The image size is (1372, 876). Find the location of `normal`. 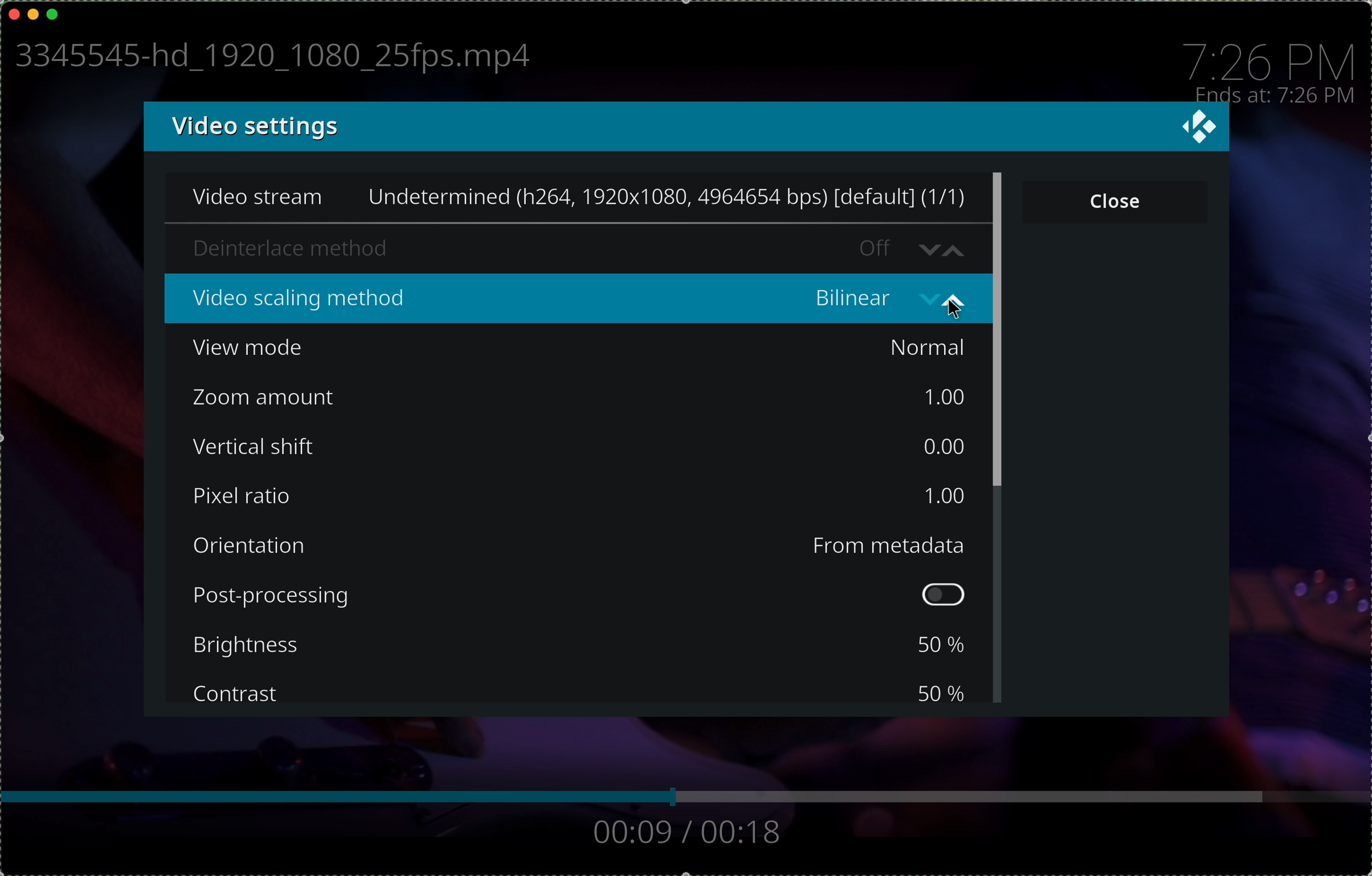

normal is located at coordinates (927, 347).